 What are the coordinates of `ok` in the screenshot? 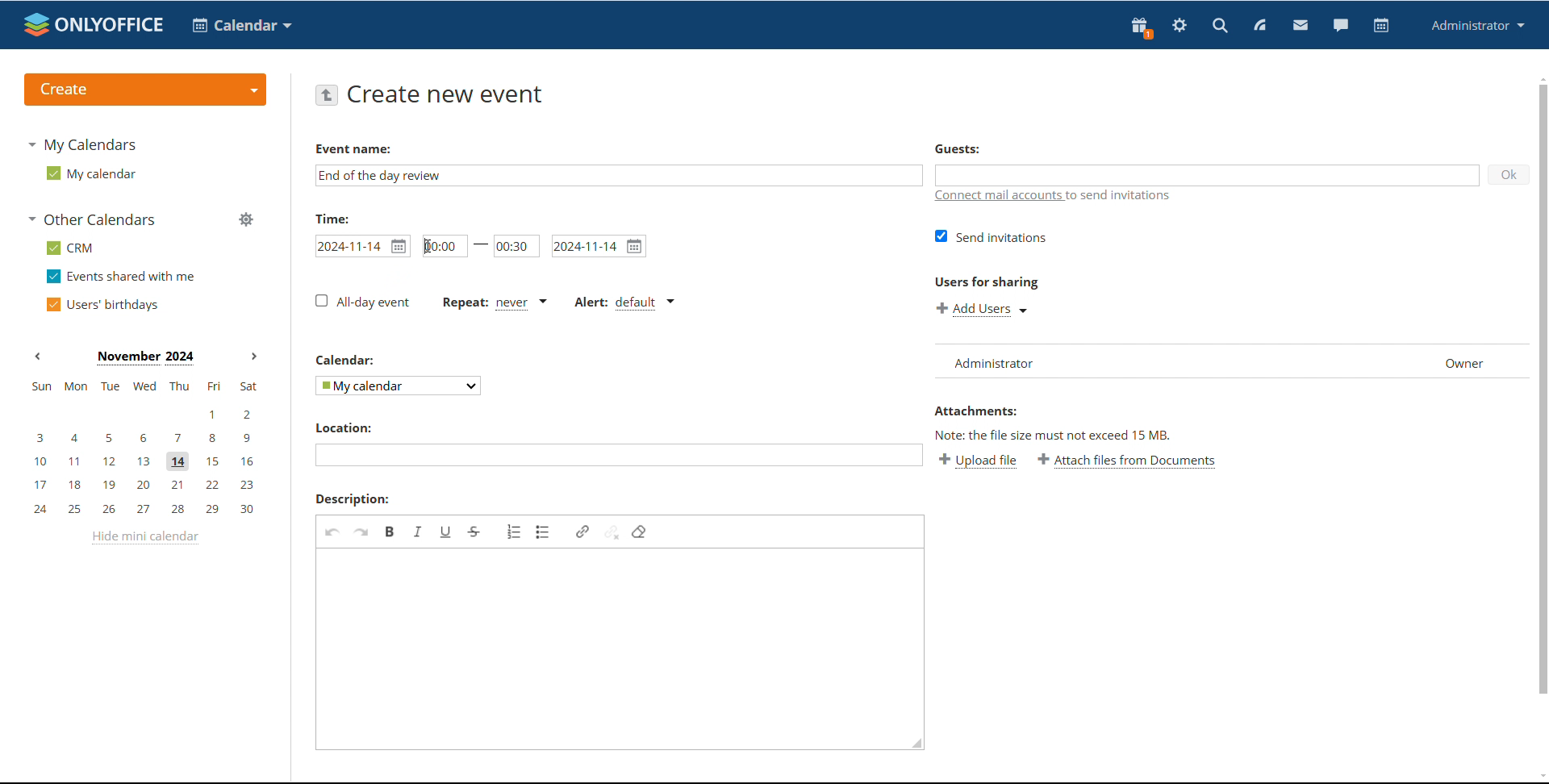 It's located at (1508, 174).